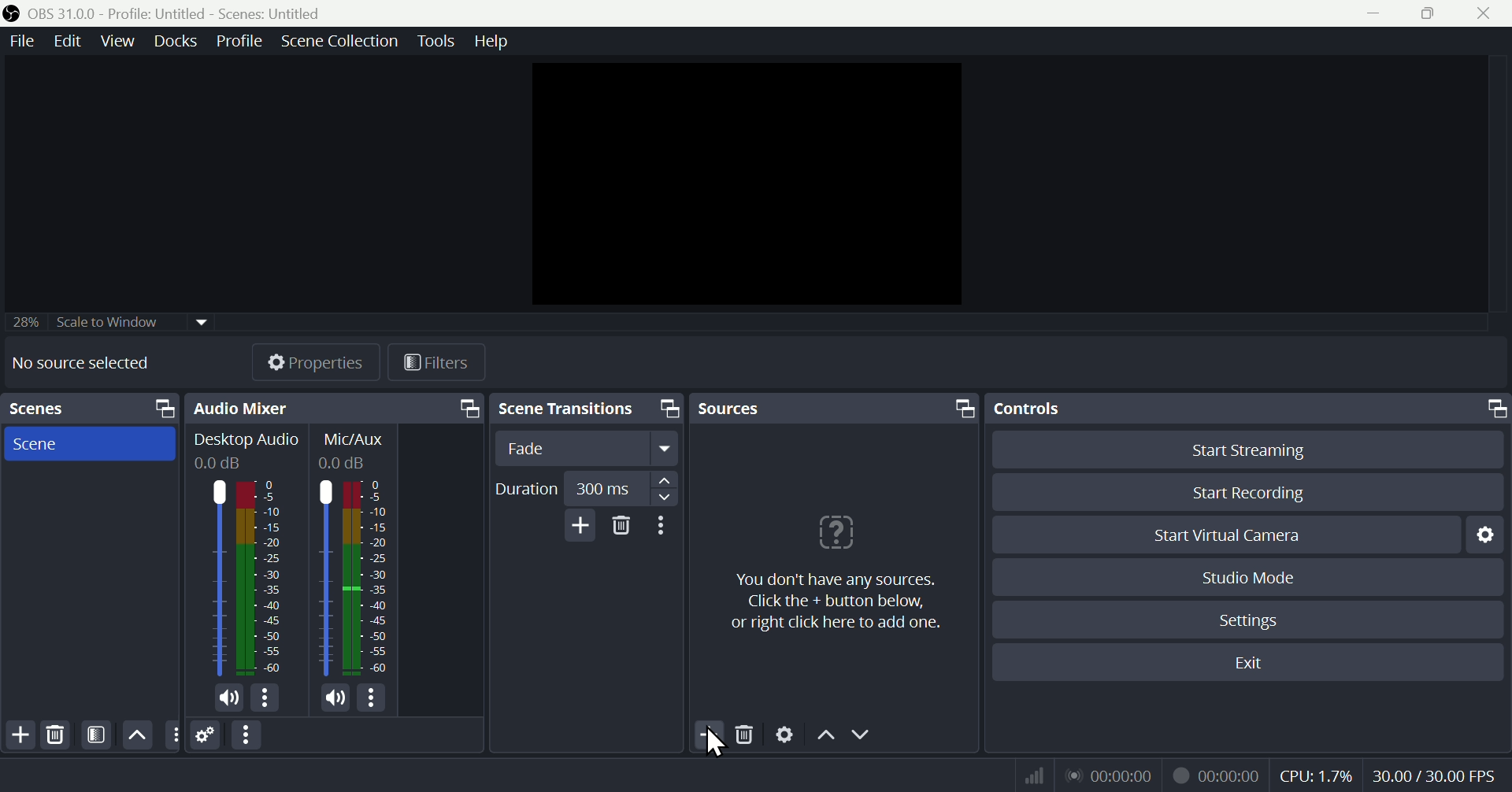  Describe the element at coordinates (437, 365) in the screenshot. I see `Filtres` at that location.